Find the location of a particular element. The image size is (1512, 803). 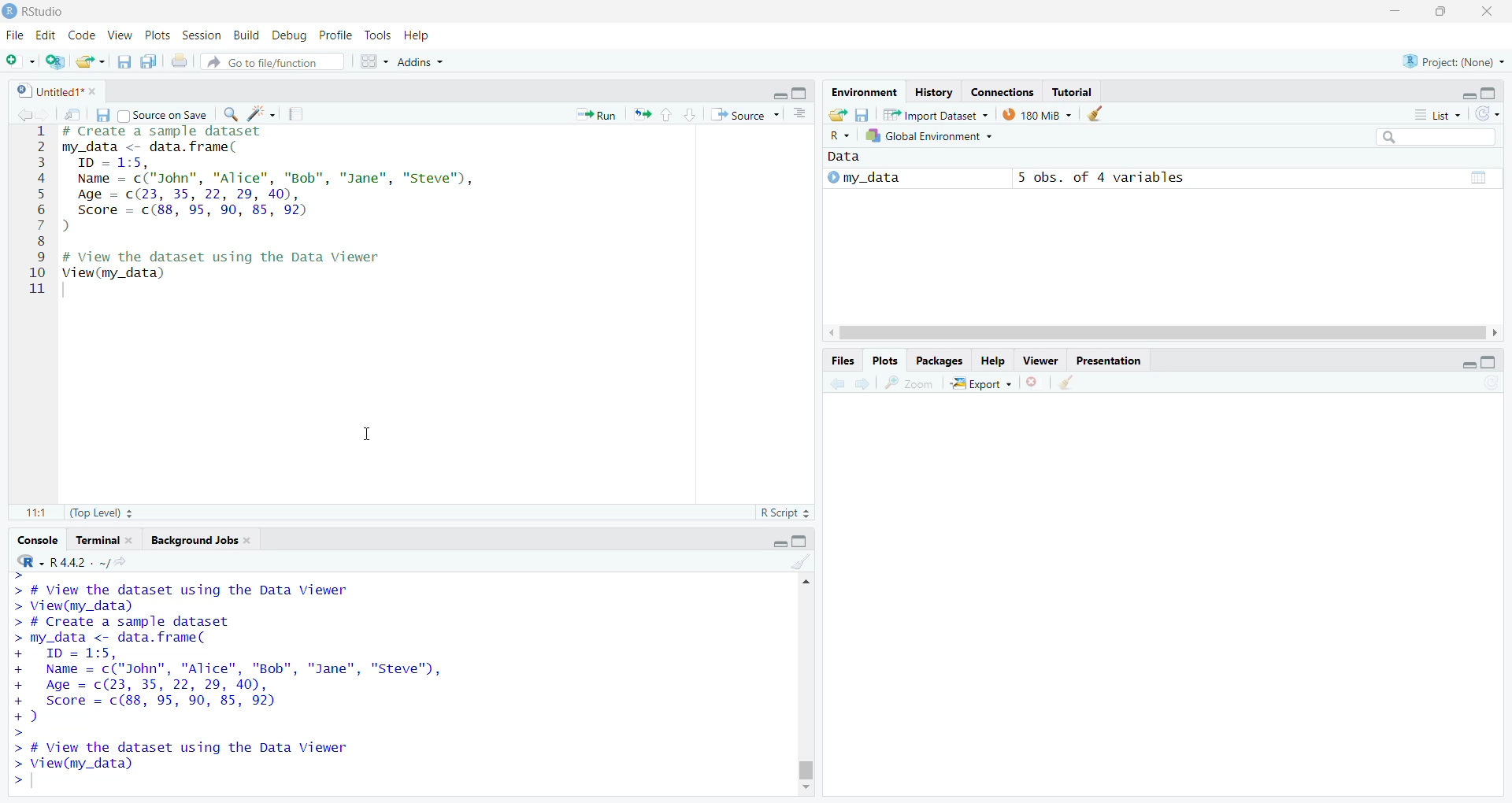

Code is located at coordinates (85, 36).